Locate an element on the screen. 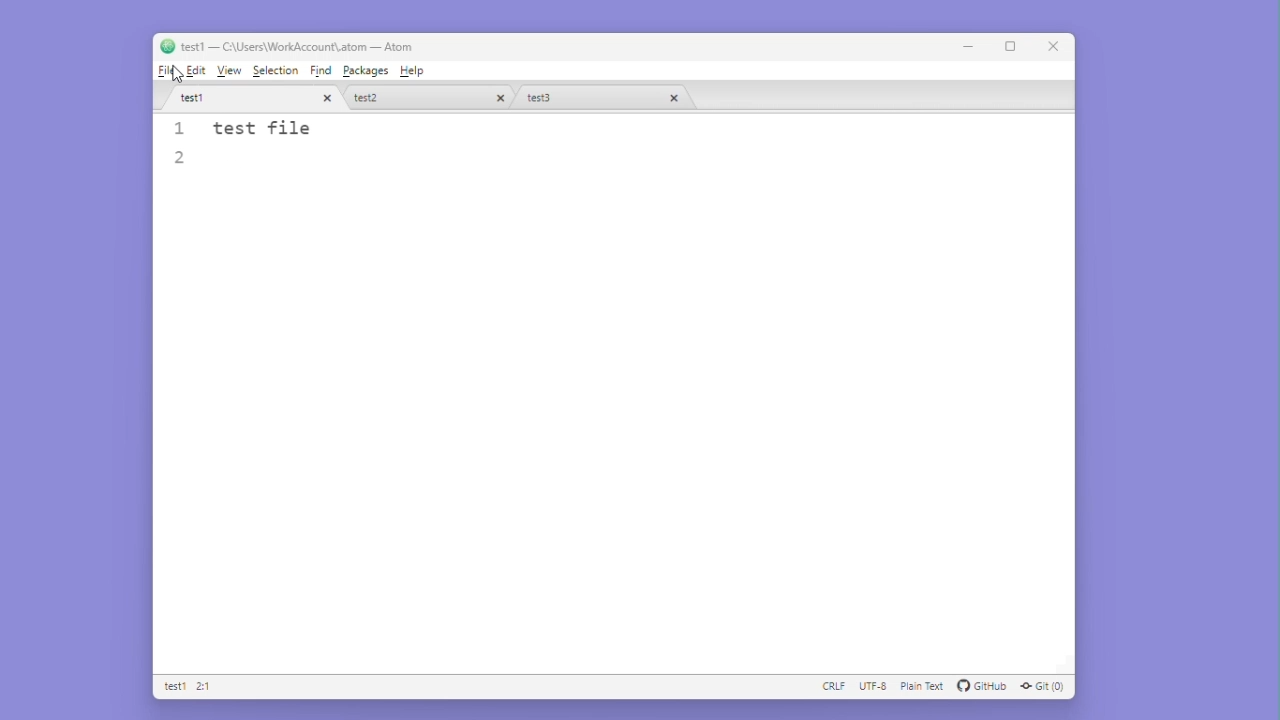  Test 3 is located at coordinates (570, 97).